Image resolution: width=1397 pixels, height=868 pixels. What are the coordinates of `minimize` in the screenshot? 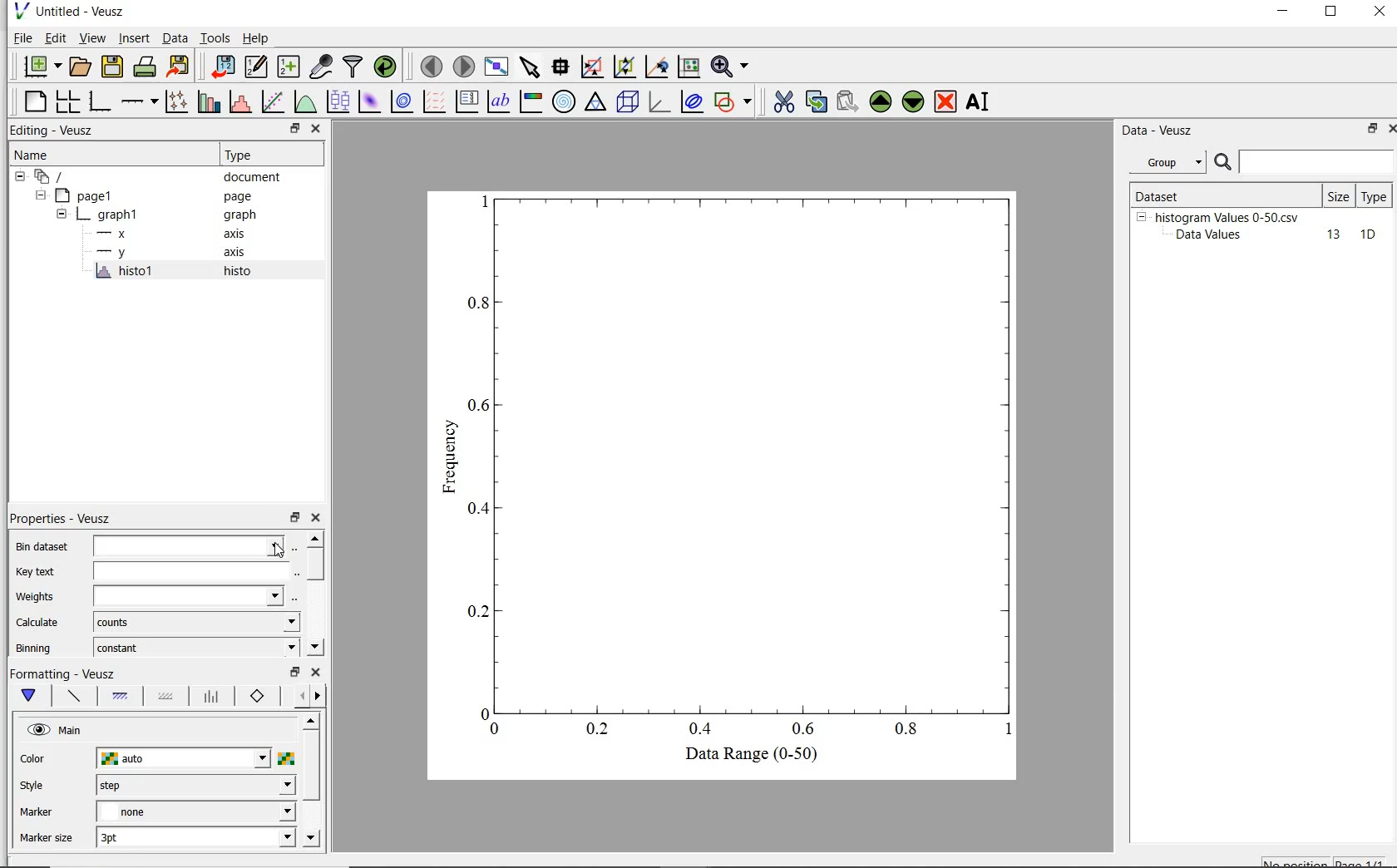 It's located at (1284, 13).